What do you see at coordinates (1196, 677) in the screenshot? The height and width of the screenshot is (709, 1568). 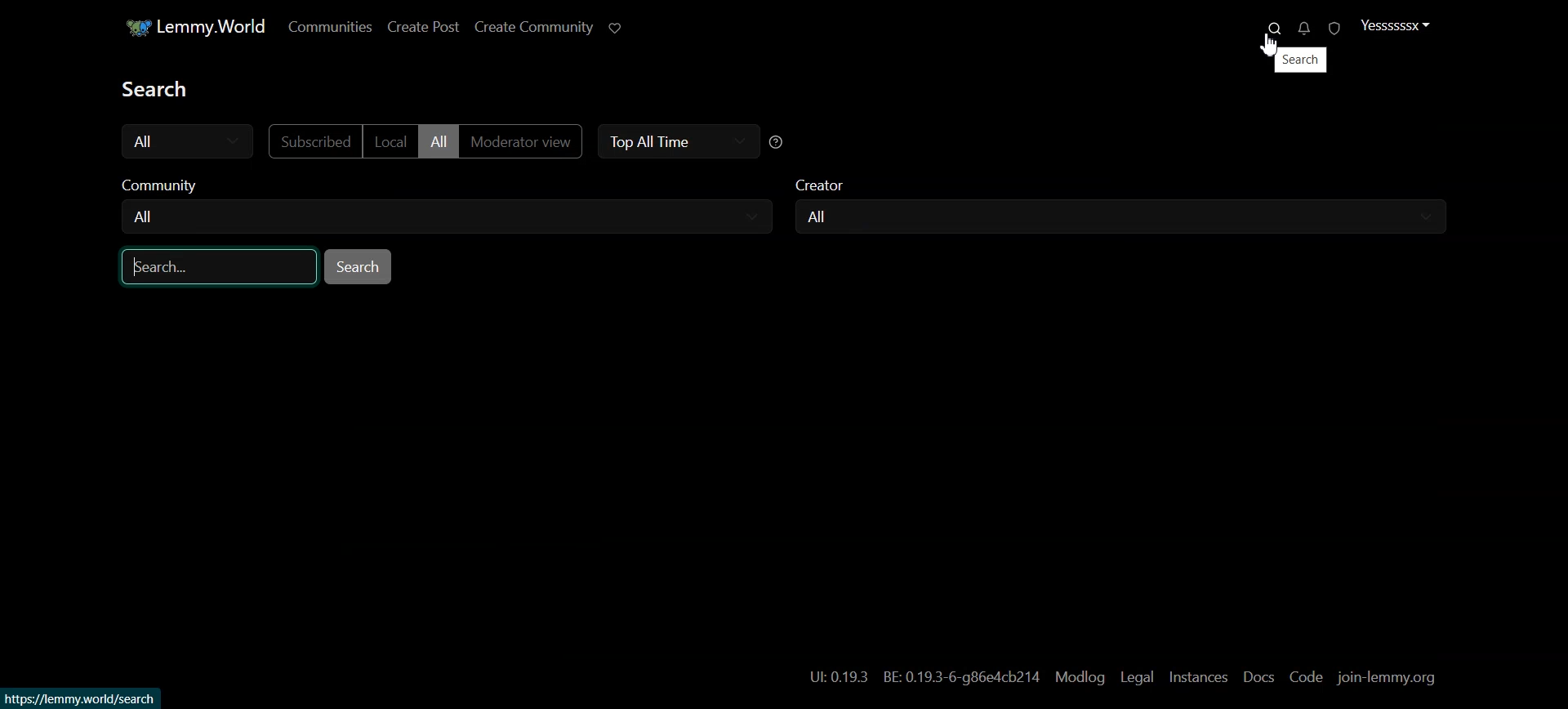 I see `Instances` at bounding box center [1196, 677].